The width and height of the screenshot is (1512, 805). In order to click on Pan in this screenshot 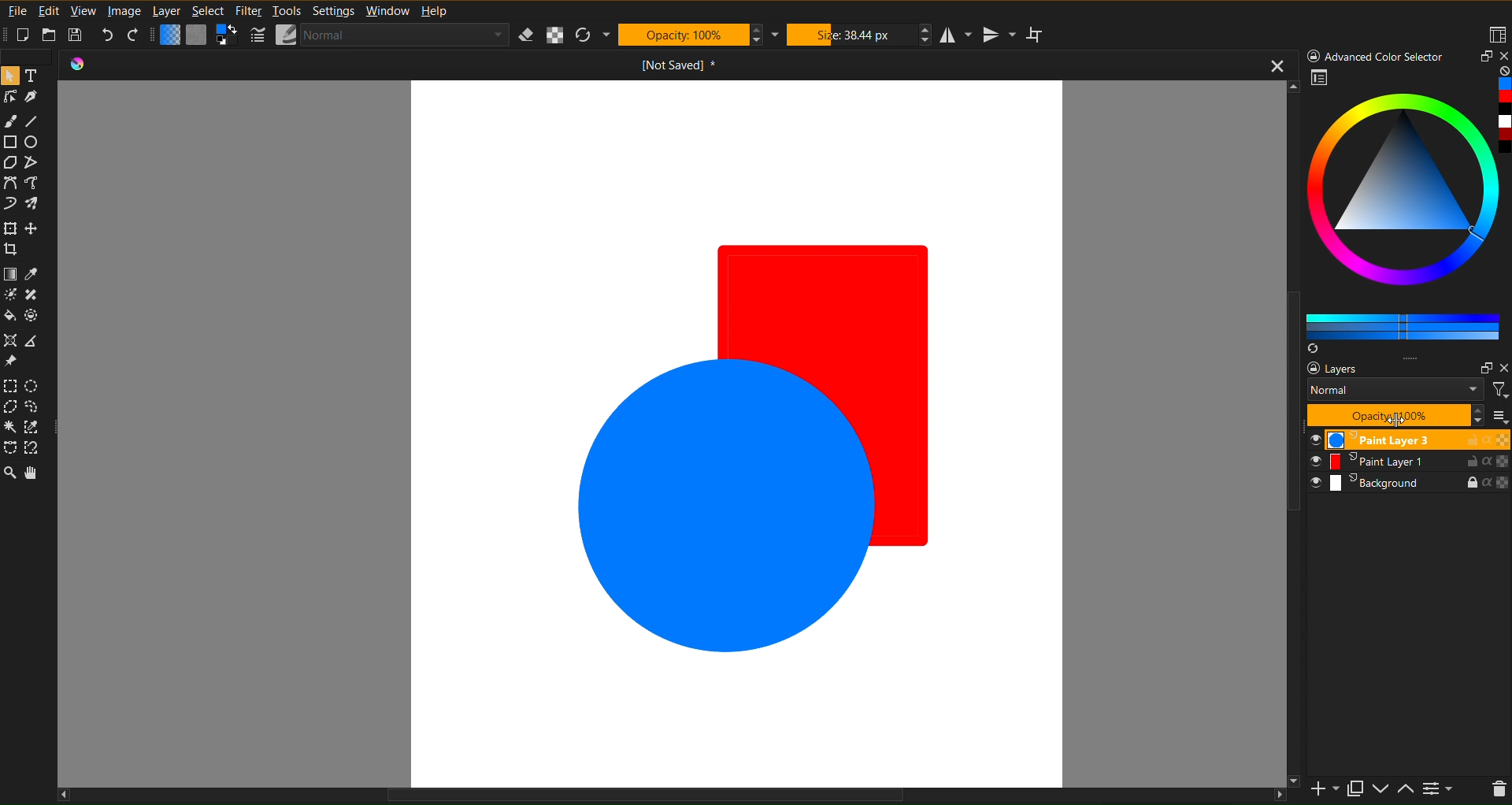, I will do `click(35, 475)`.